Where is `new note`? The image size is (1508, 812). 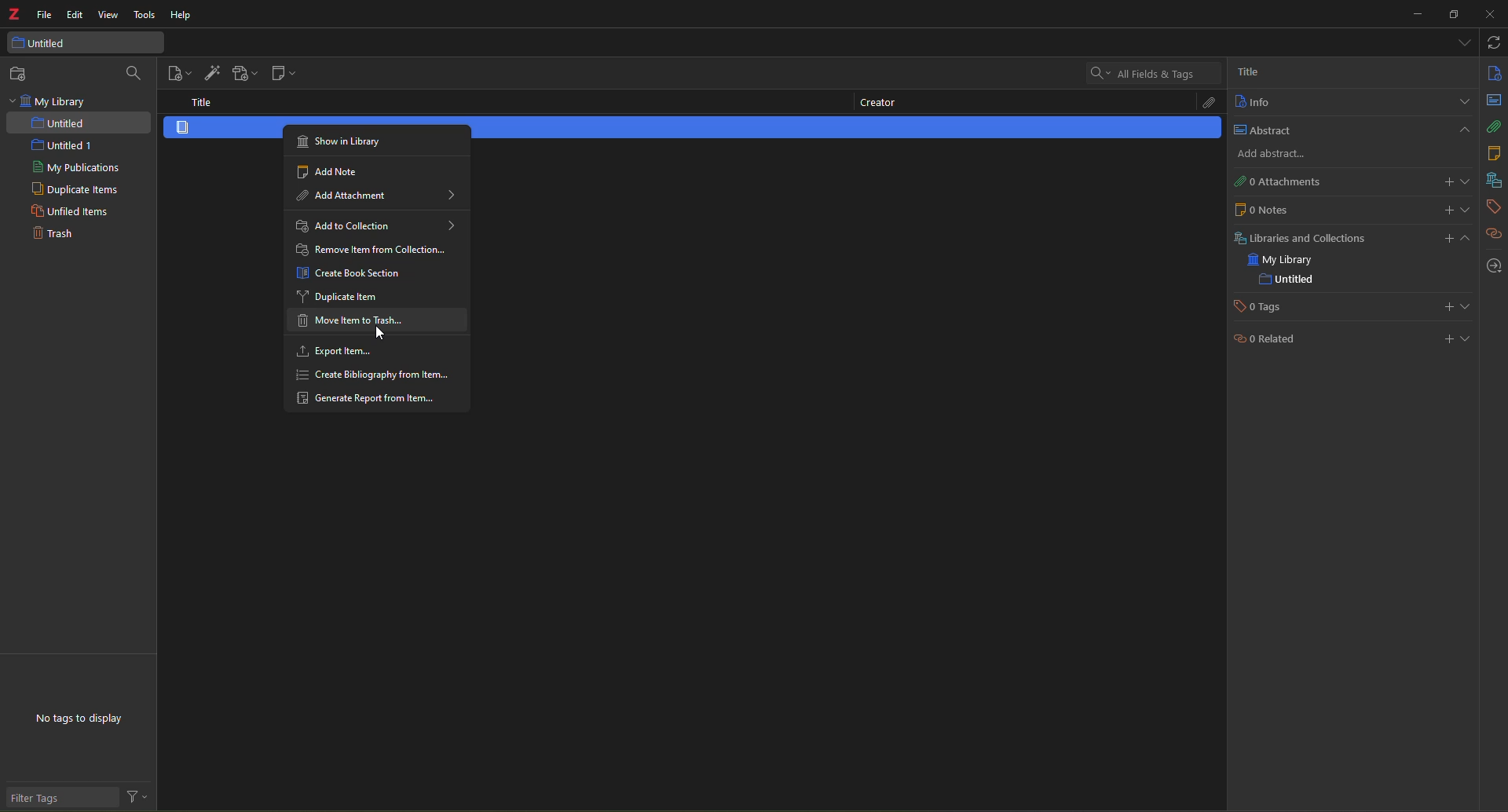
new note is located at coordinates (281, 75).